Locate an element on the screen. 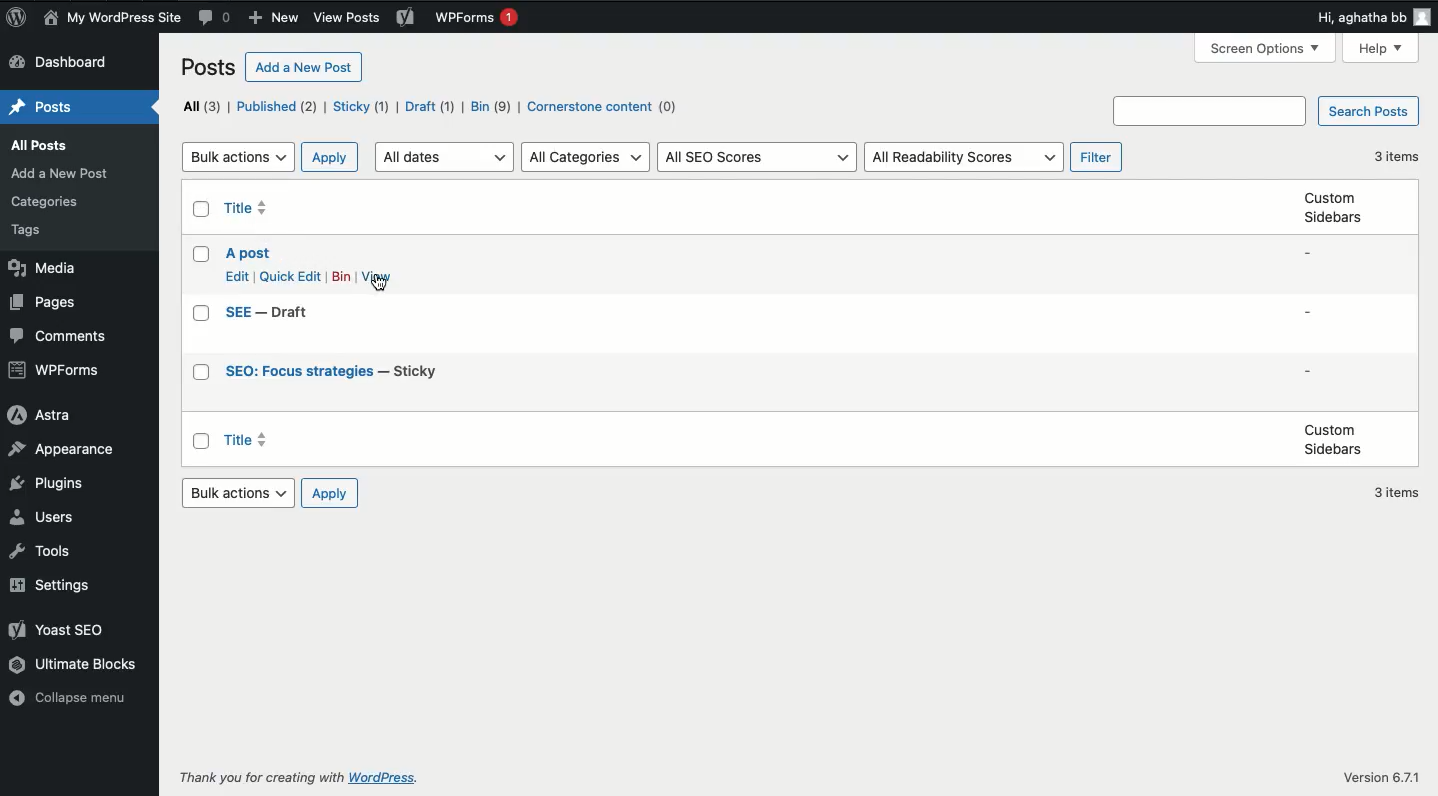 This screenshot has width=1438, height=796. All categories is located at coordinates (587, 155).